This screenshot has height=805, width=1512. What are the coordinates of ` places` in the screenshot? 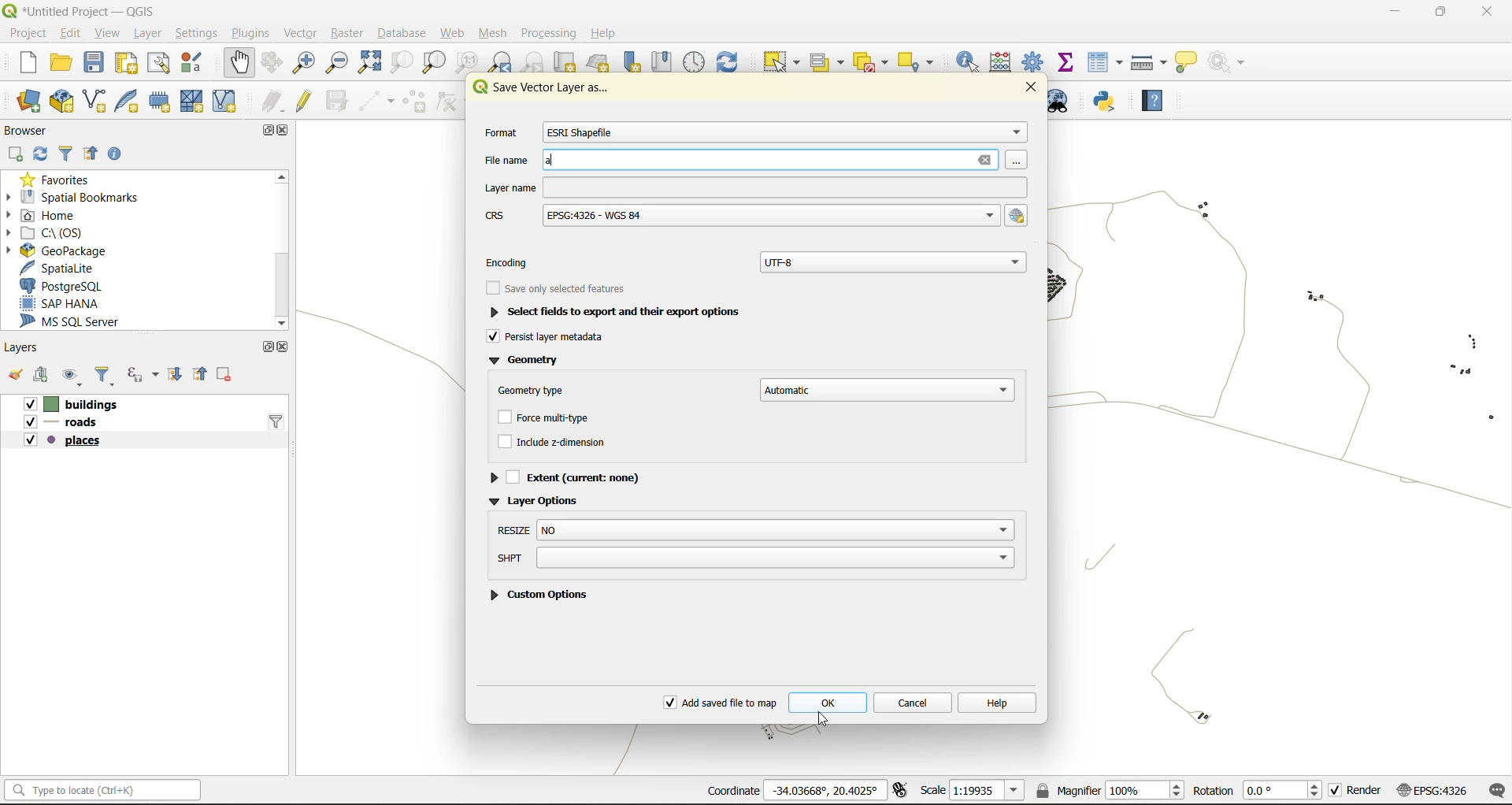 It's located at (65, 443).